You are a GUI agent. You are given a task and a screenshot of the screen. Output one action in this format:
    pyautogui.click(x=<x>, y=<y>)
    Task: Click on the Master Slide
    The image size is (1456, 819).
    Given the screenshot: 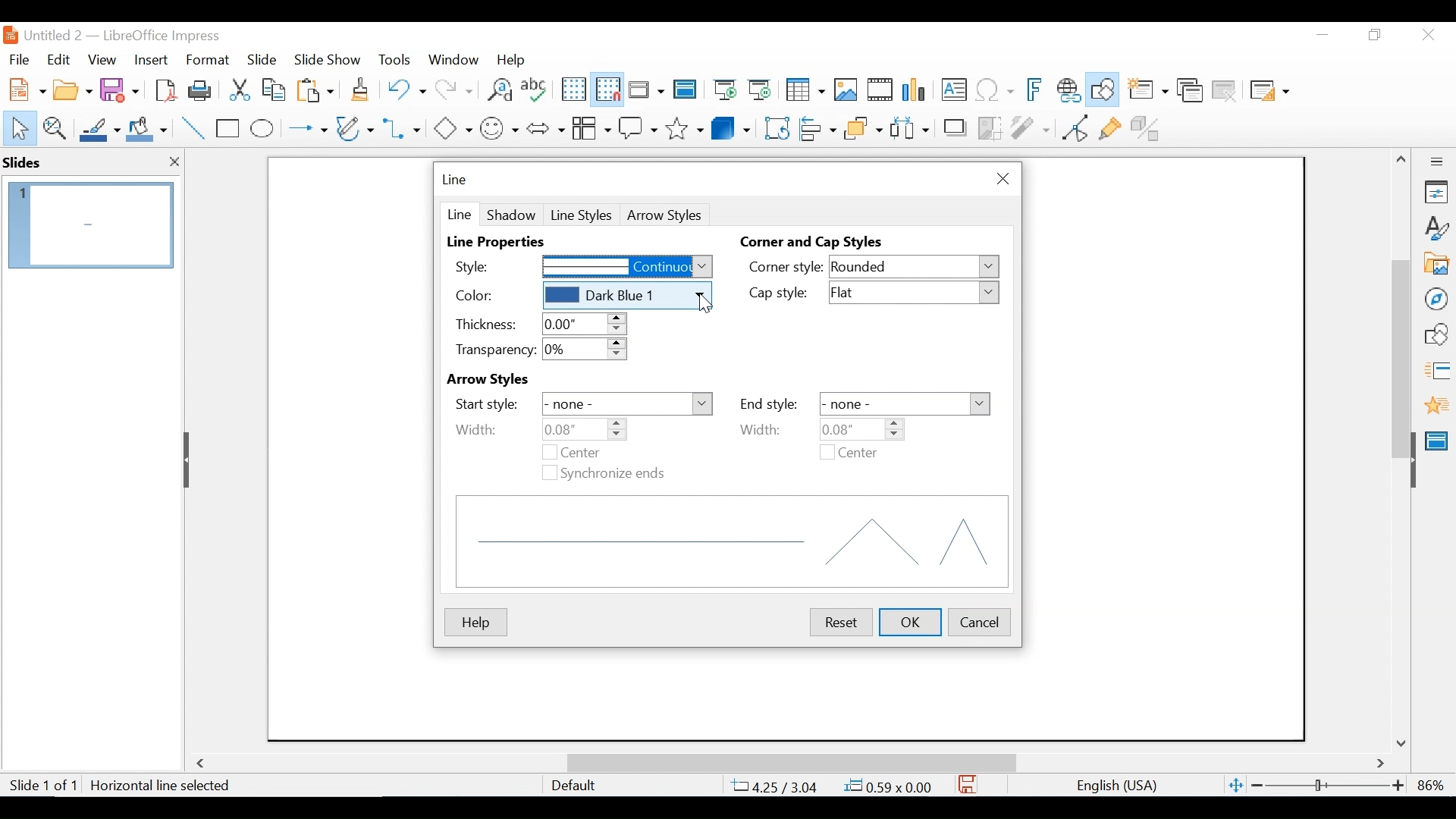 What is the action you would take?
    pyautogui.click(x=1439, y=439)
    